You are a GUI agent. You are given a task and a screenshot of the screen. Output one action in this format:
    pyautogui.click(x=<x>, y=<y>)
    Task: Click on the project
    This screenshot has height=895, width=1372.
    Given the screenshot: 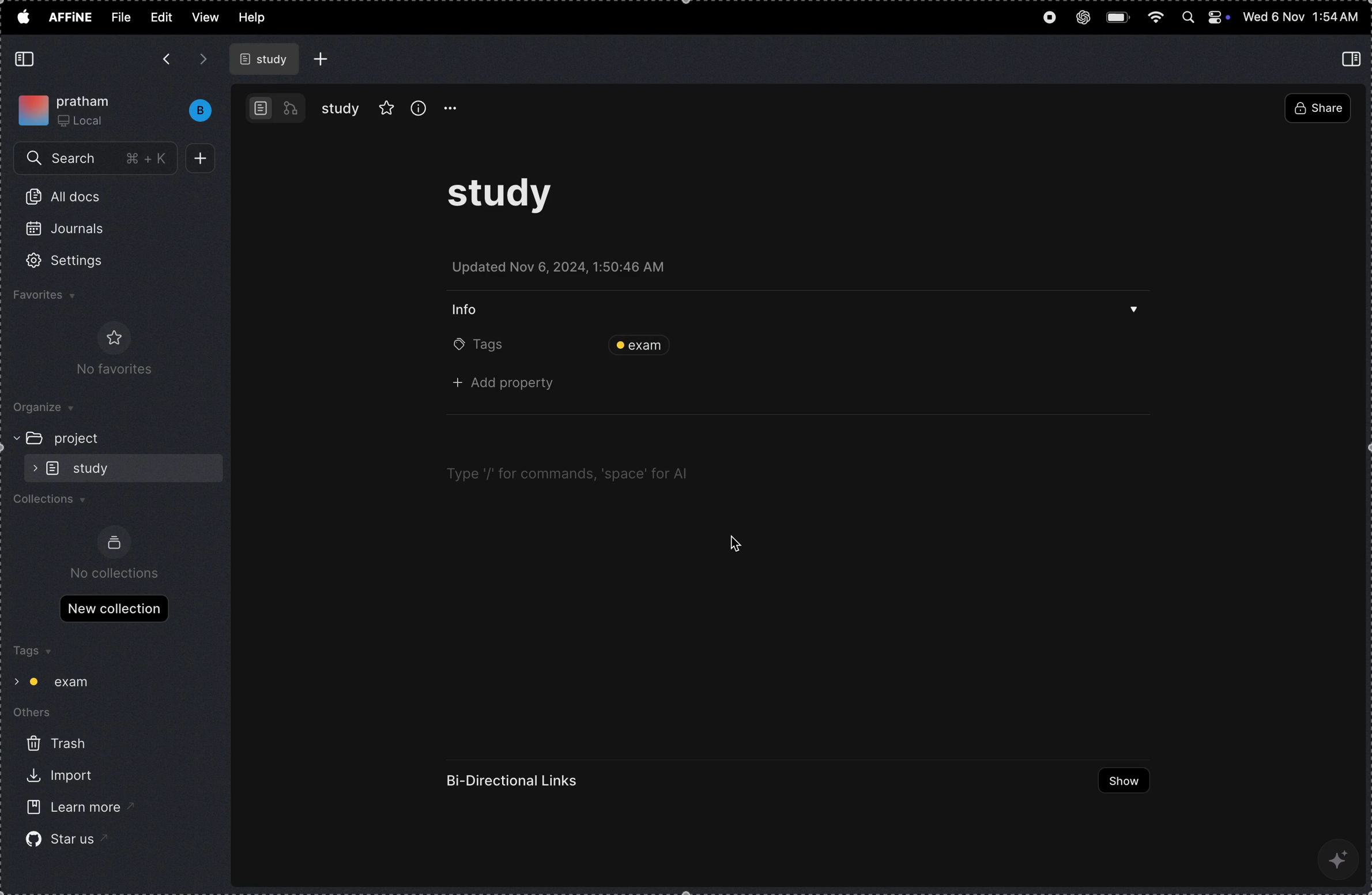 What is the action you would take?
    pyautogui.click(x=84, y=438)
    